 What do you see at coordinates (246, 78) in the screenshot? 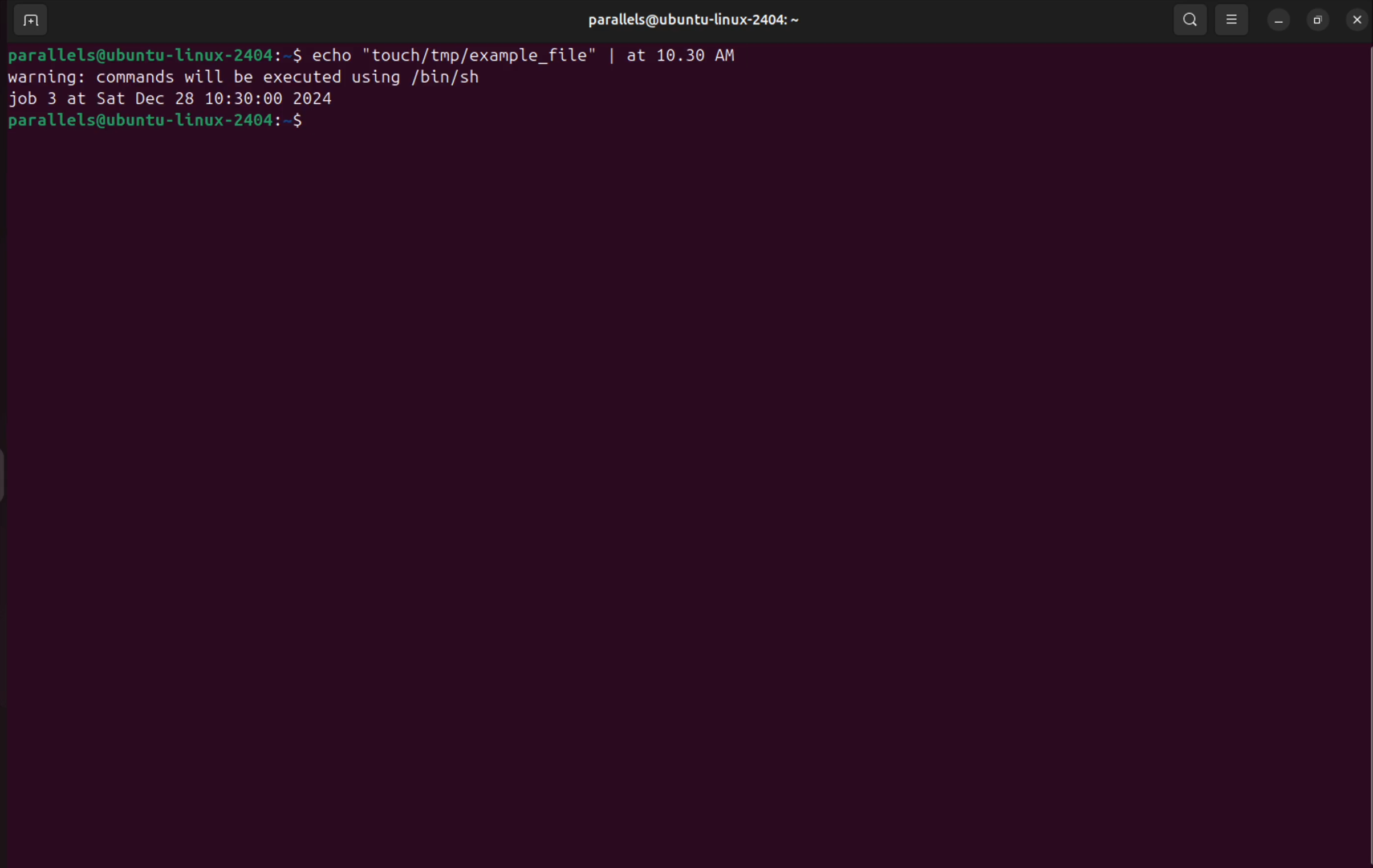
I see `warning` at bounding box center [246, 78].